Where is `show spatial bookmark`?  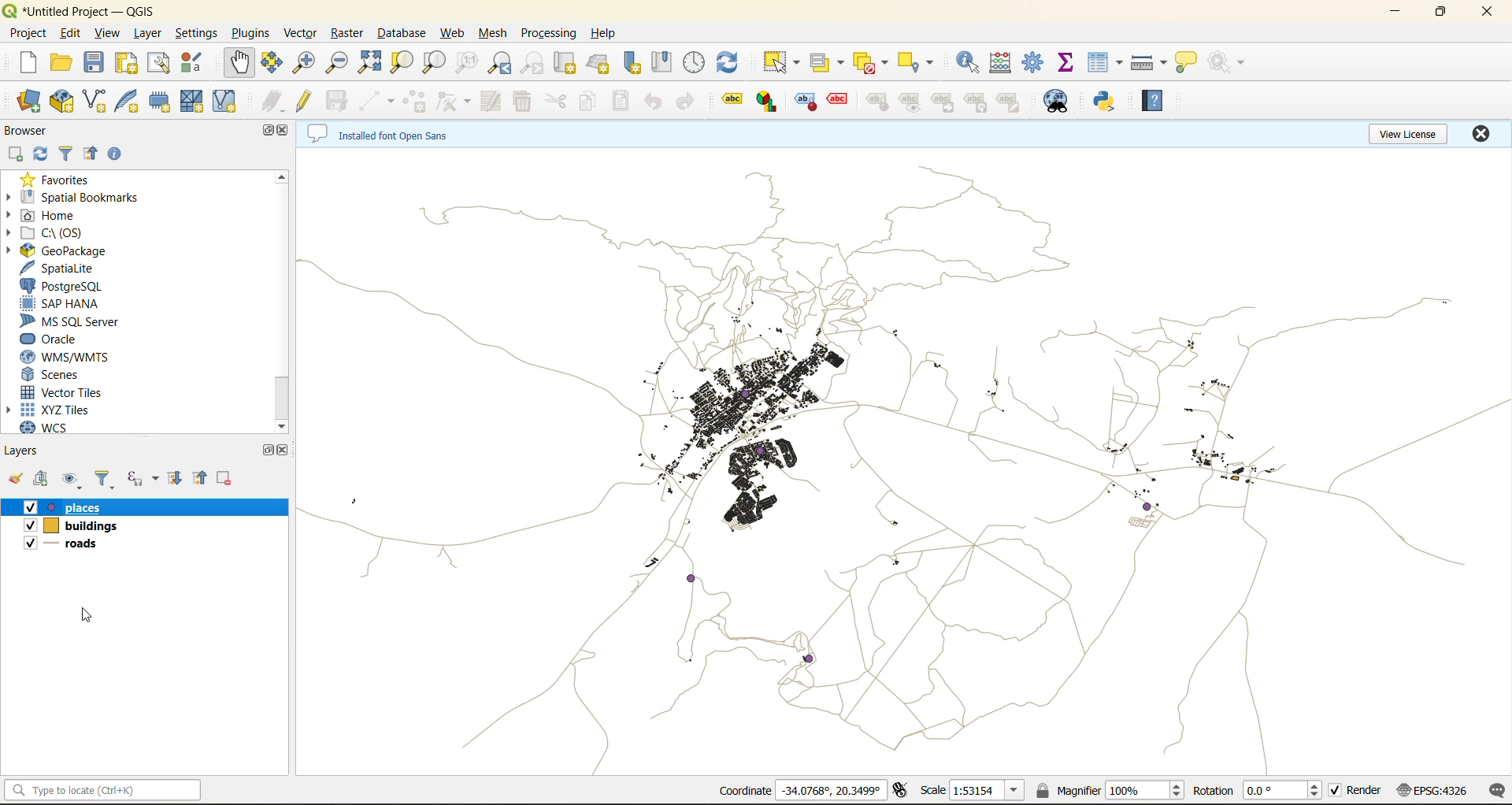
show spatial bookmark is located at coordinates (667, 61).